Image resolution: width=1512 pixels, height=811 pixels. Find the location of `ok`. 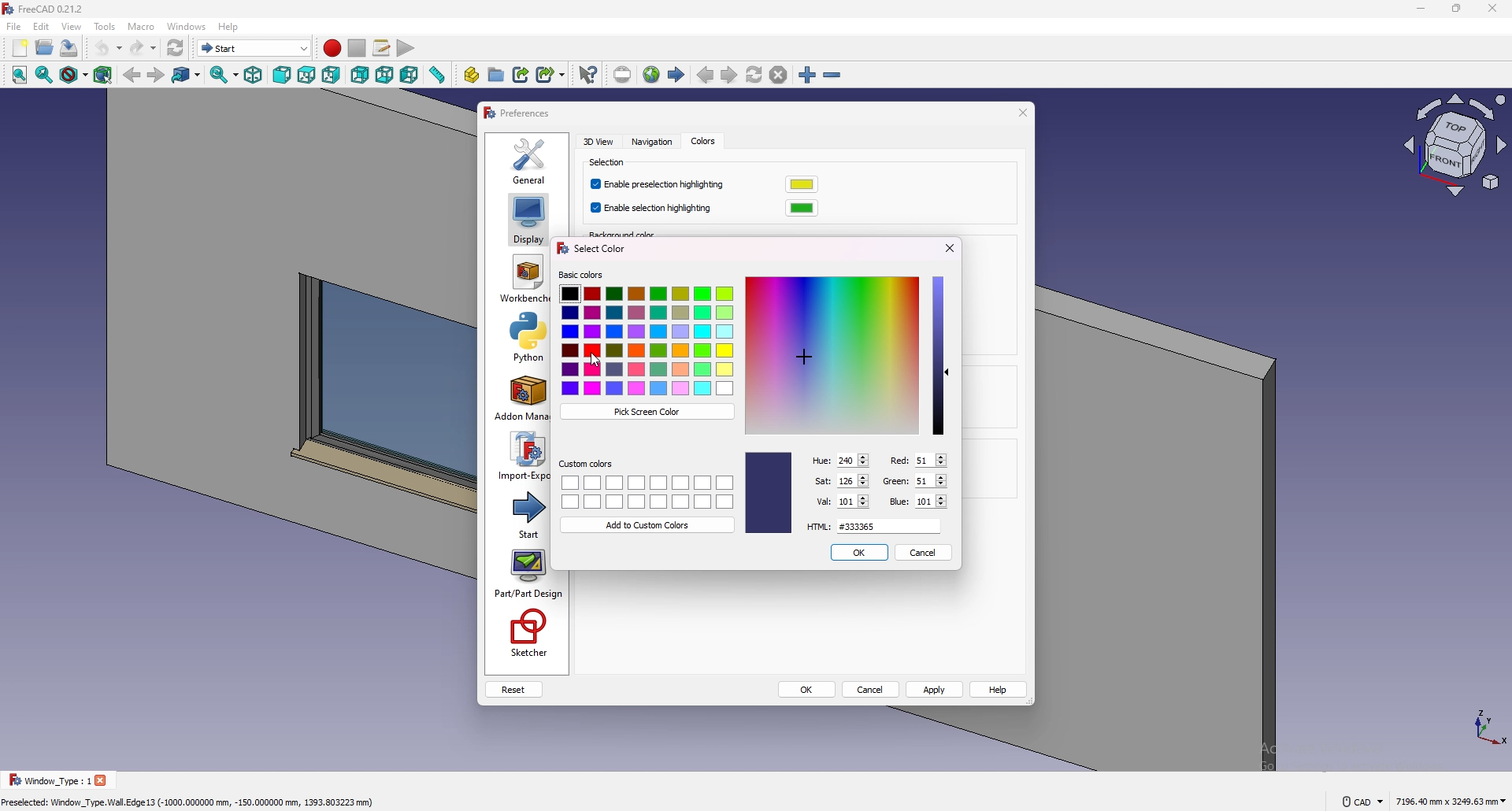

ok is located at coordinates (858, 552).